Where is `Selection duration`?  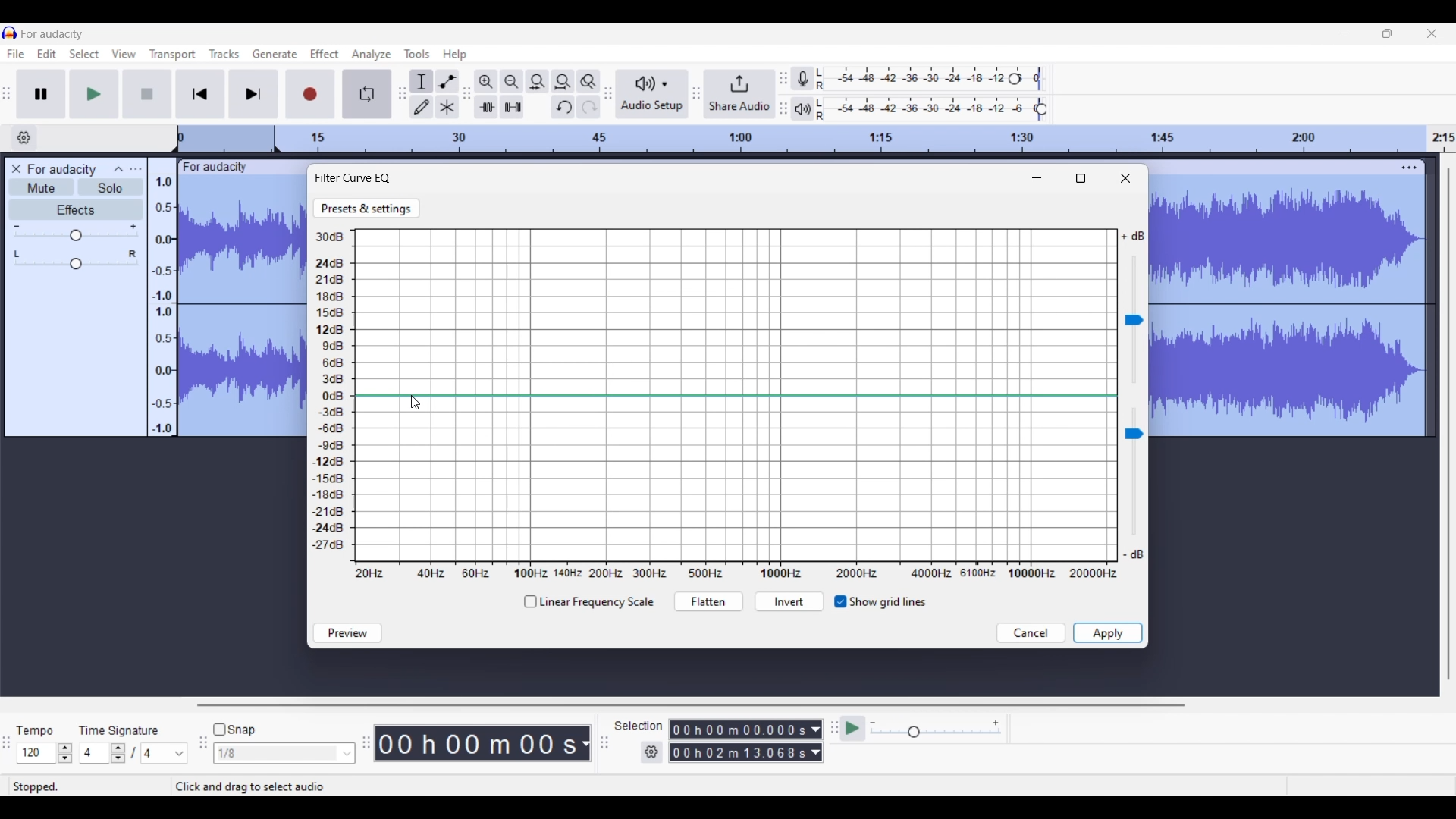 Selection duration is located at coordinates (739, 742).